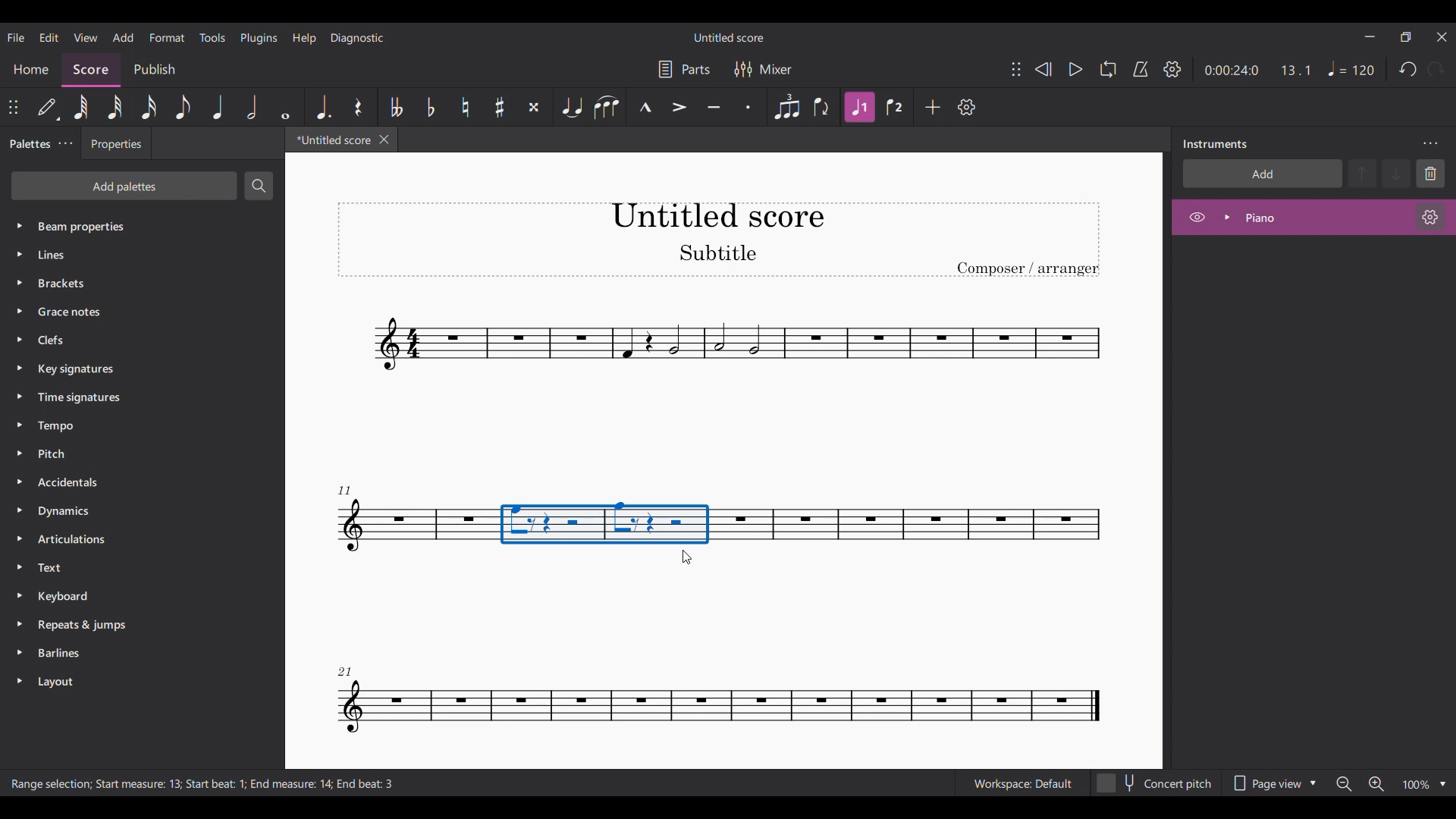  Describe the element at coordinates (167, 37) in the screenshot. I see `Format menu` at that location.